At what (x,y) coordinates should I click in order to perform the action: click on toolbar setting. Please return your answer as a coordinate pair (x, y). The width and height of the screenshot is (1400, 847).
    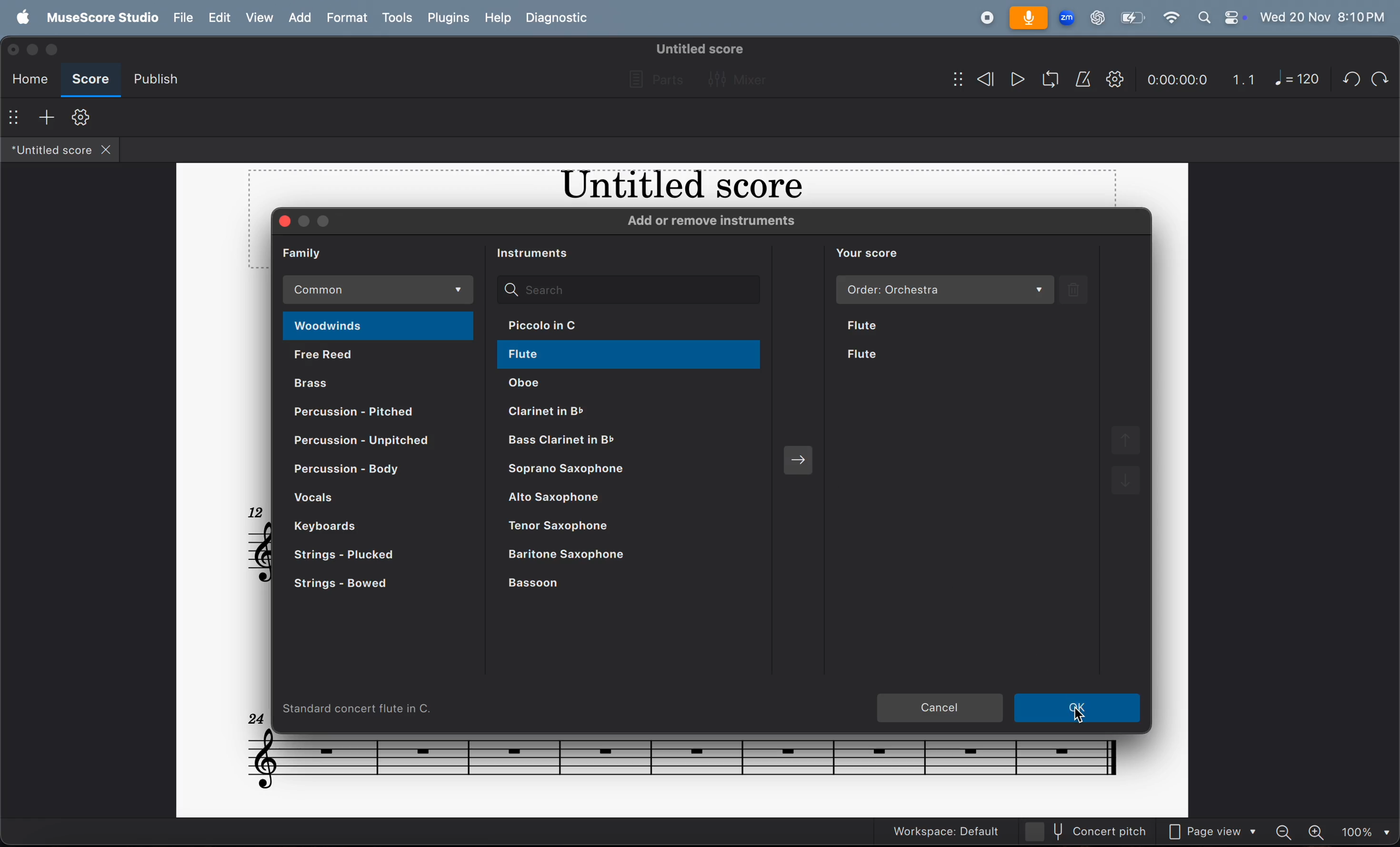
    Looking at the image, I should click on (81, 117).